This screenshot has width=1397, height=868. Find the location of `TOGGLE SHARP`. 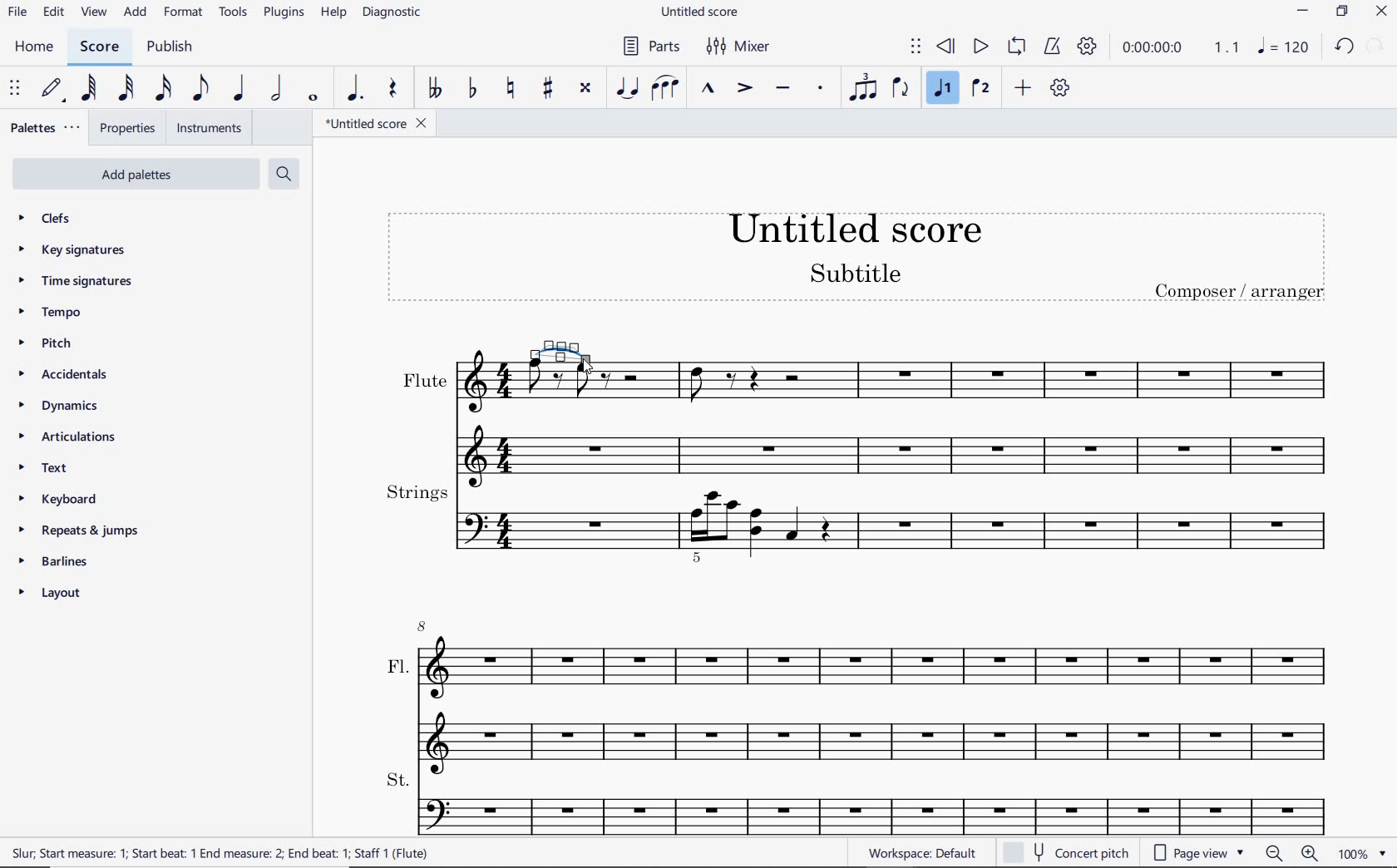

TOGGLE SHARP is located at coordinates (545, 89).